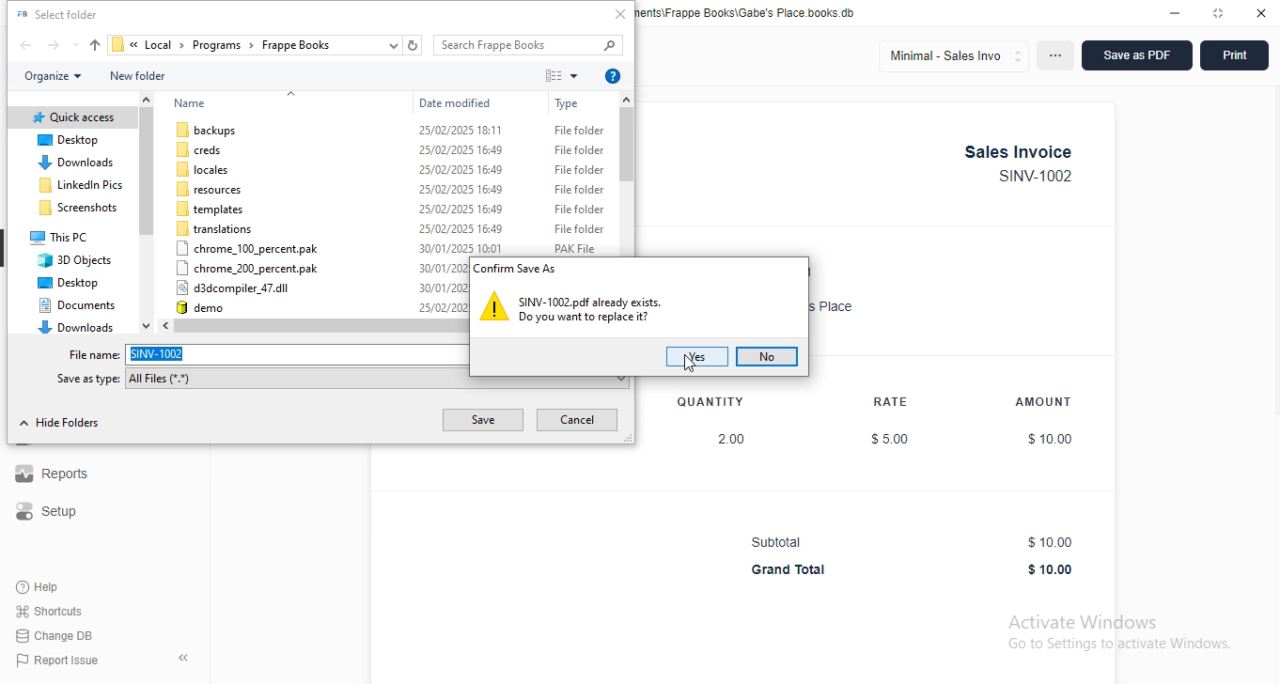 The width and height of the screenshot is (1280, 684). Describe the element at coordinates (88, 379) in the screenshot. I see `Save as type:` at that location.